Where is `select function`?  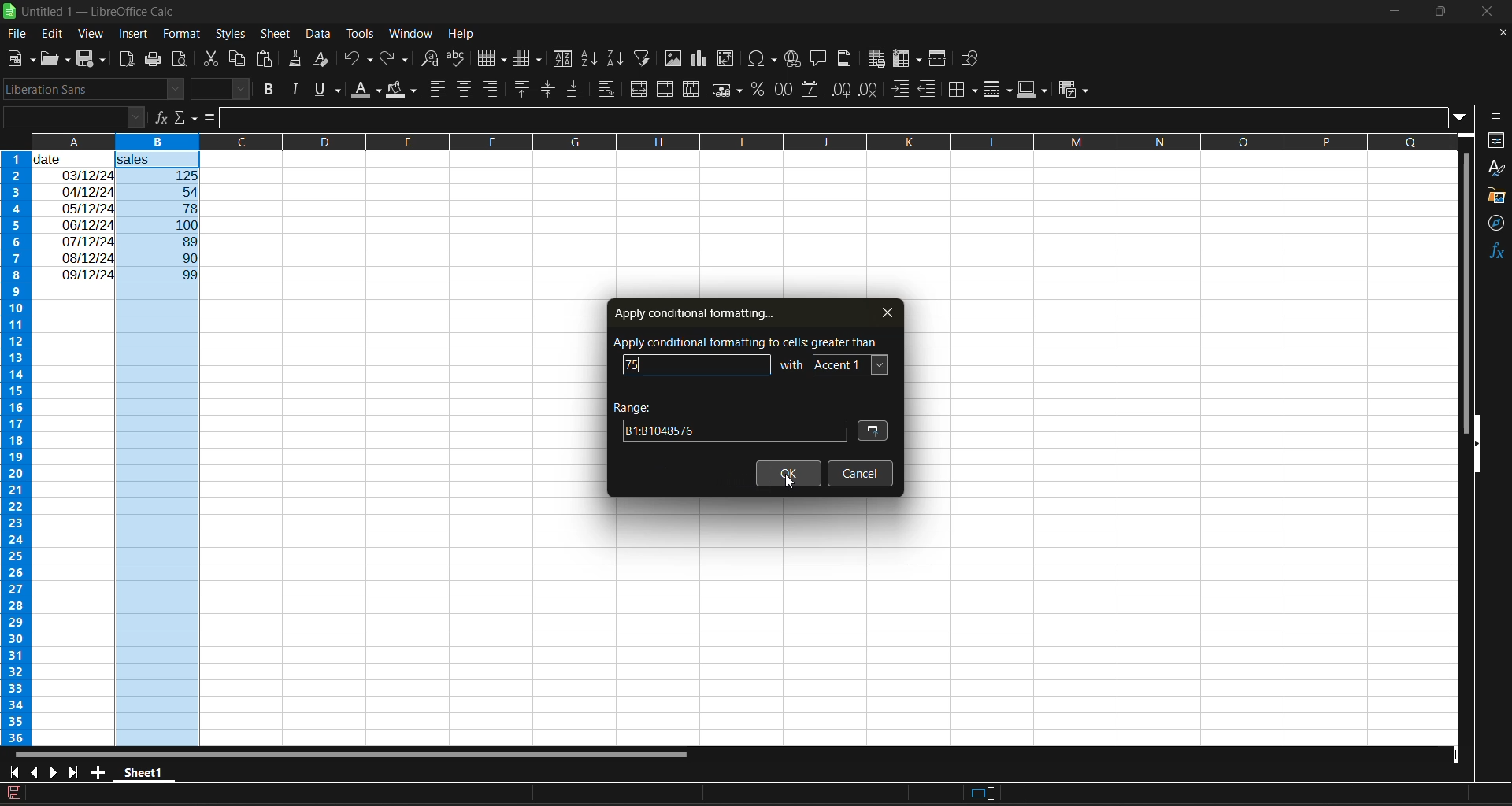
select function is located at coordinates (187, 117).